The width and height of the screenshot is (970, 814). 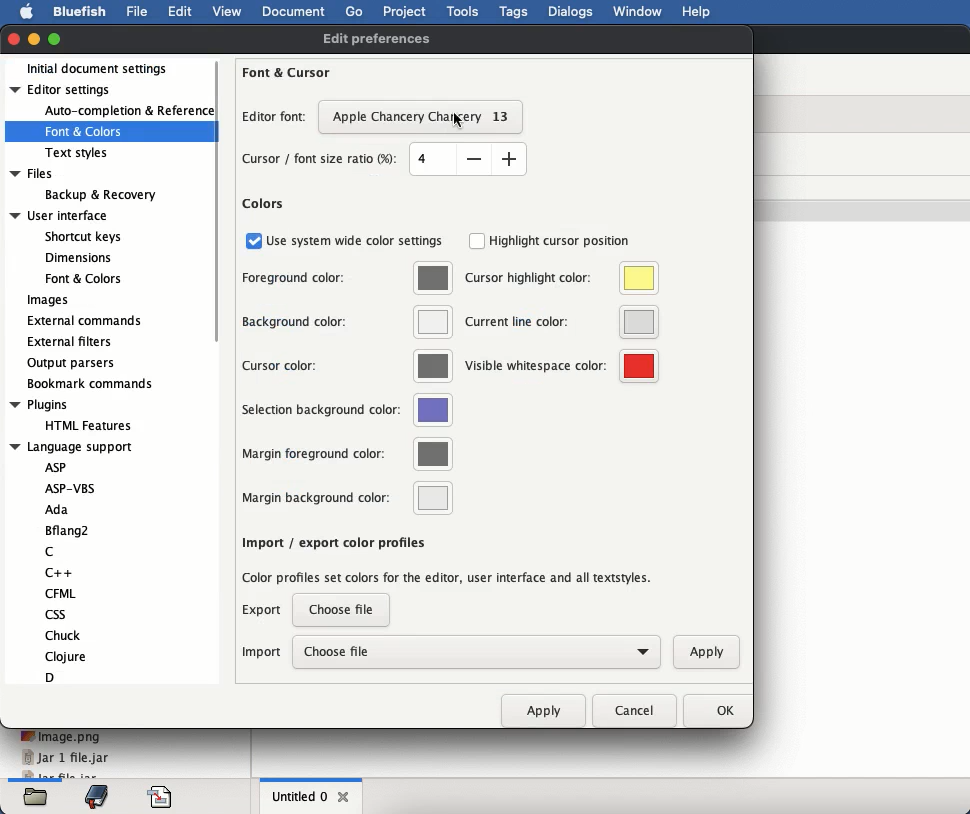 I want to click on language support, so click(x=84, y=563).